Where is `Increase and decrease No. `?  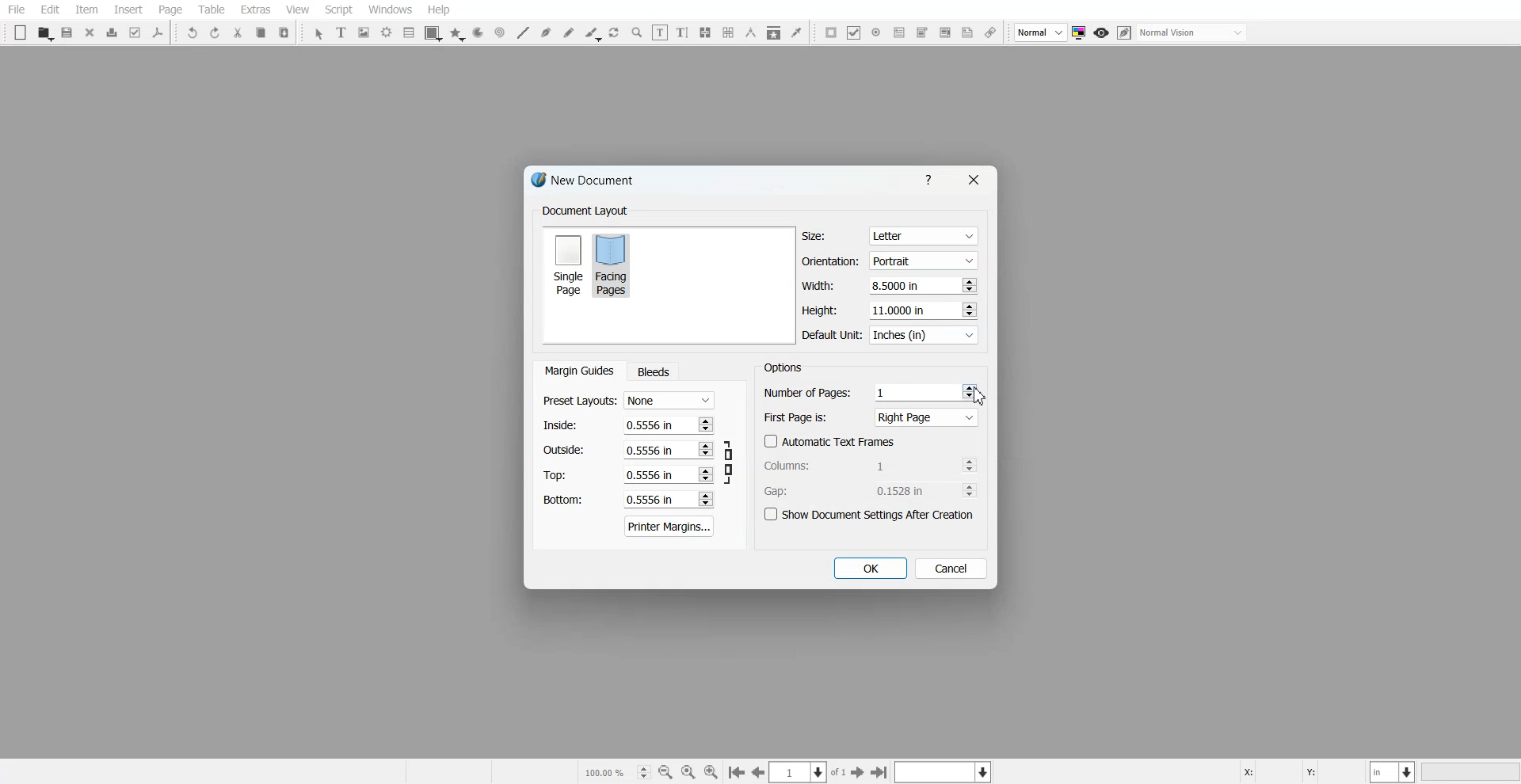
Increase and decrease No.  is located at coordinates (969, 465).